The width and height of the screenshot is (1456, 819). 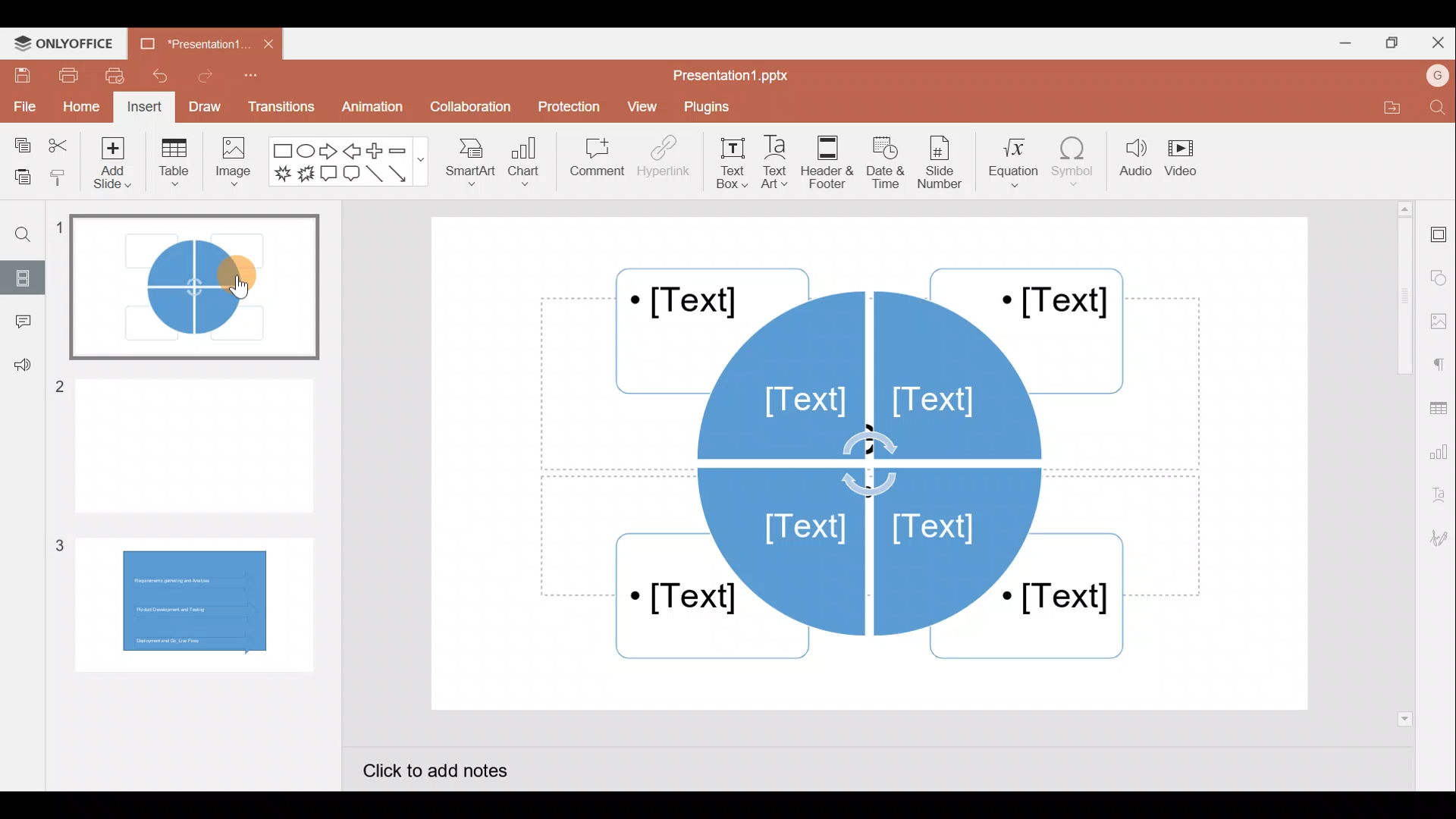 What do you see at coordinates (201, 285) in the screenshot?
I see `Slide 1` at bounding box center [201, 285].